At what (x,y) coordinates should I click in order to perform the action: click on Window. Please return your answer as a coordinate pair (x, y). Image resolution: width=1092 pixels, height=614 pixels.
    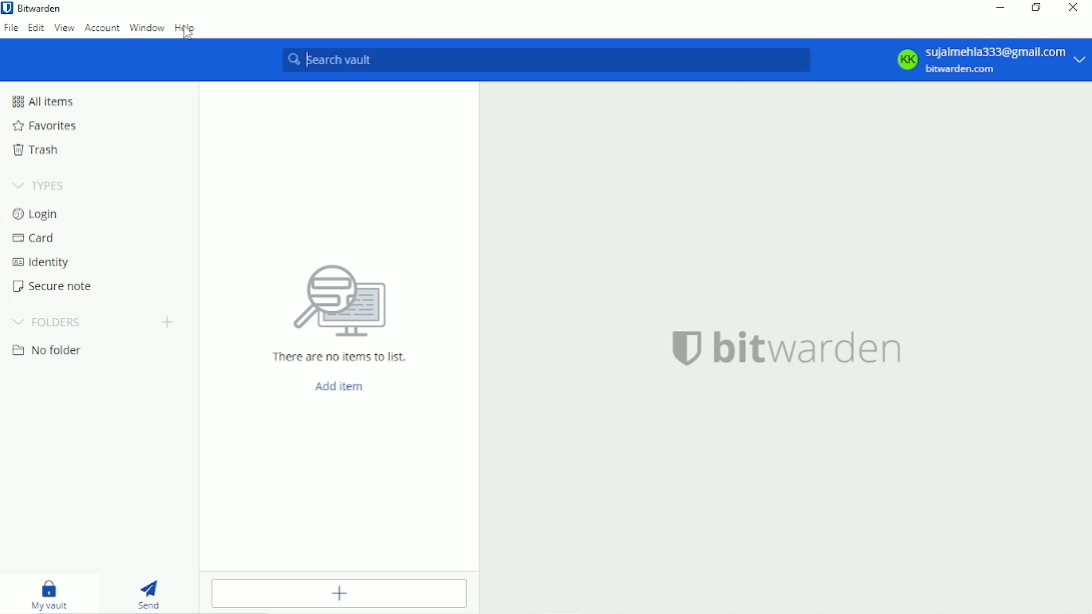
    Looking at the image, I should click on (148, 29).